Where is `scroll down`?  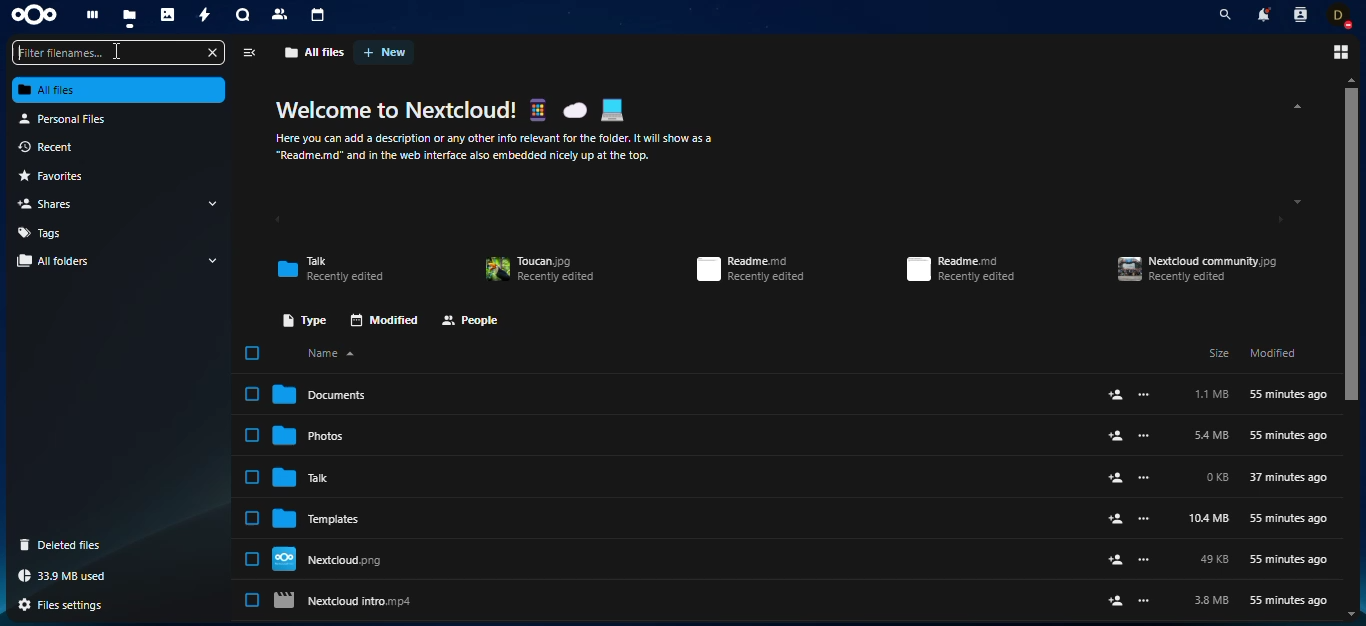
scroll down is located at coordinates (1298, 202).